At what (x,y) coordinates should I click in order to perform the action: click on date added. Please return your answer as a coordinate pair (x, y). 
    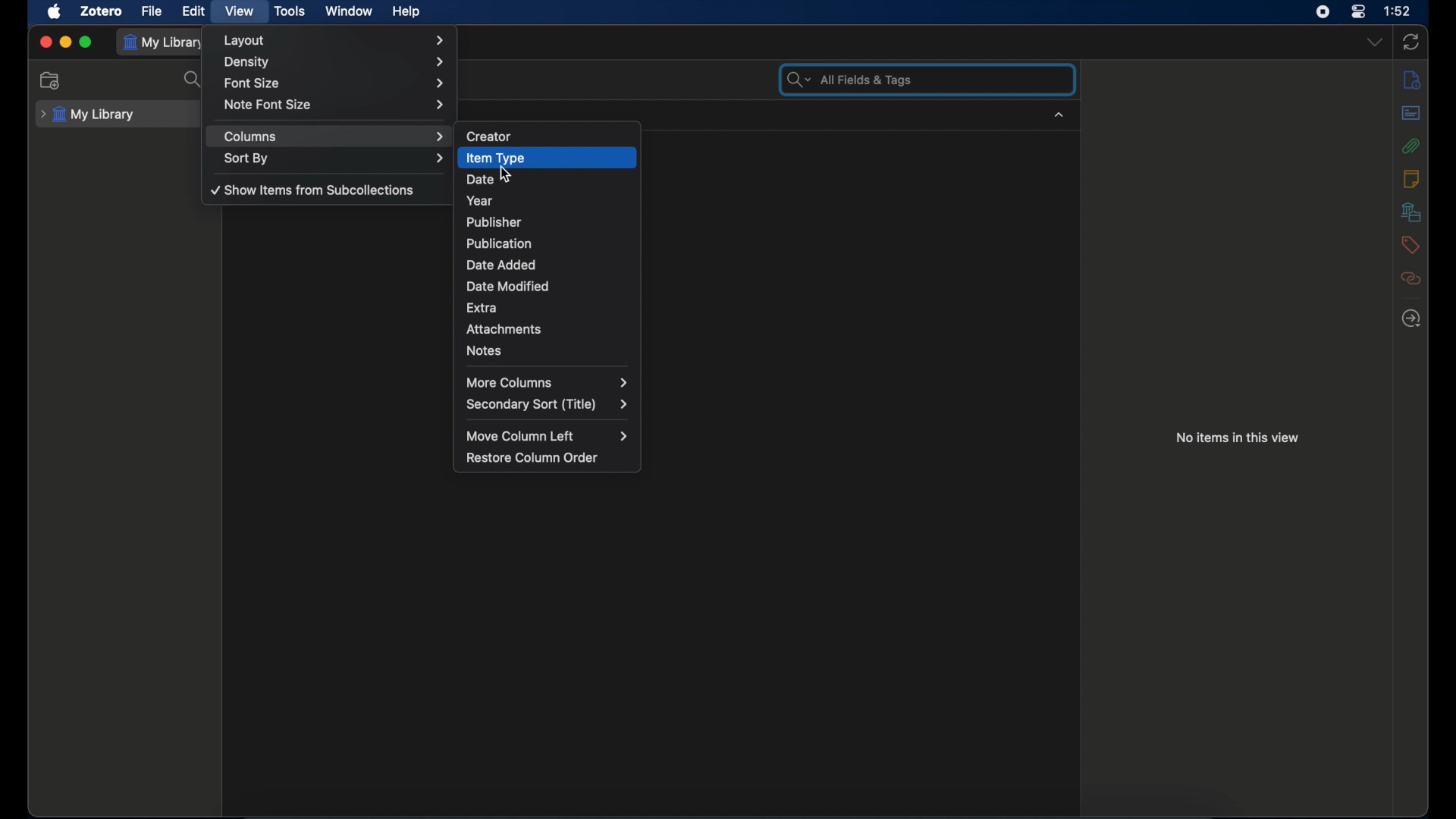
    Looking at the image, I should click on (502, 265).